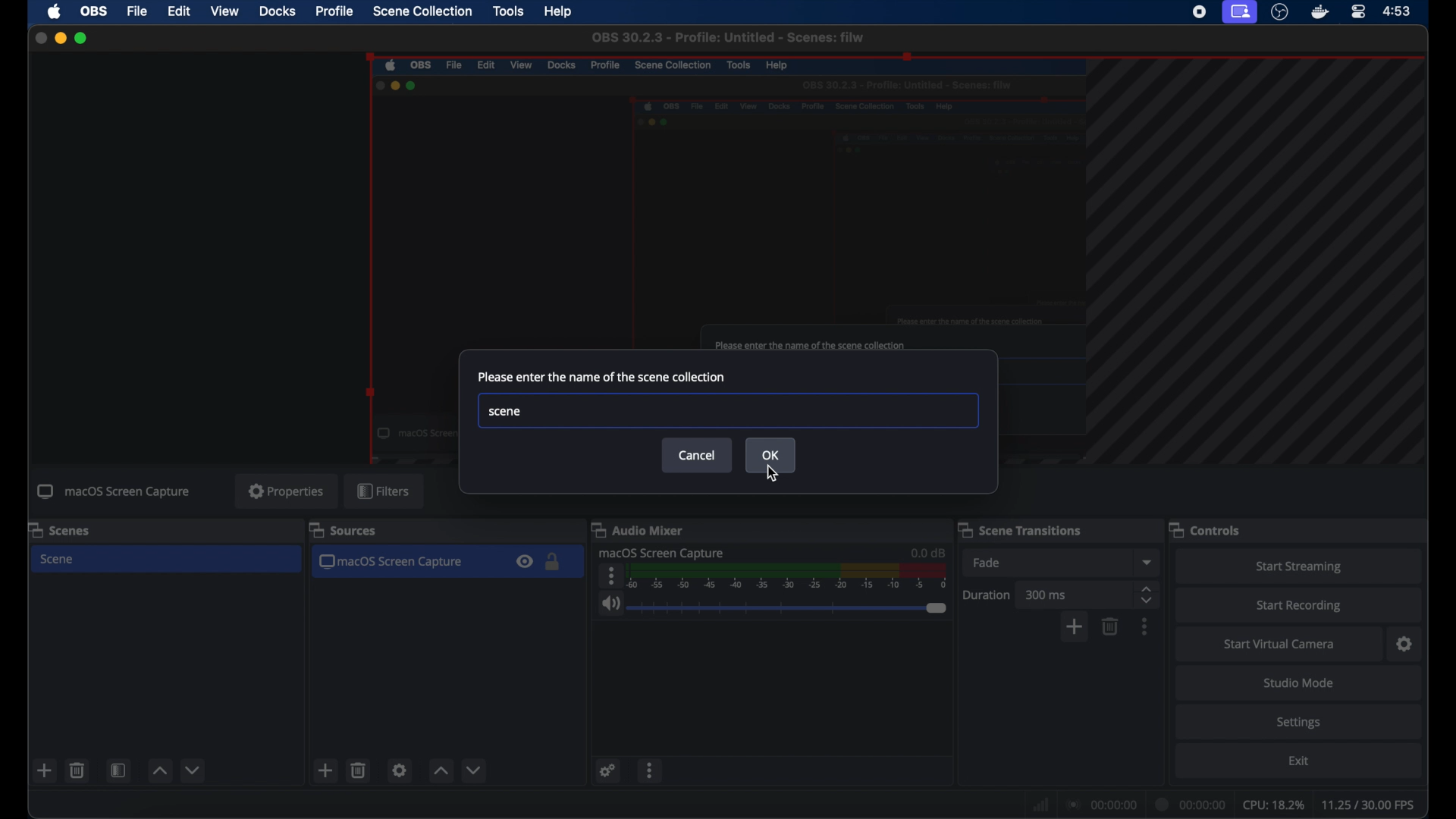 The width and height of the screenshot is (1456, 819). Describe the element at coordinates (1297, 682) in the screenshot. I see `studio  mode` at that location.